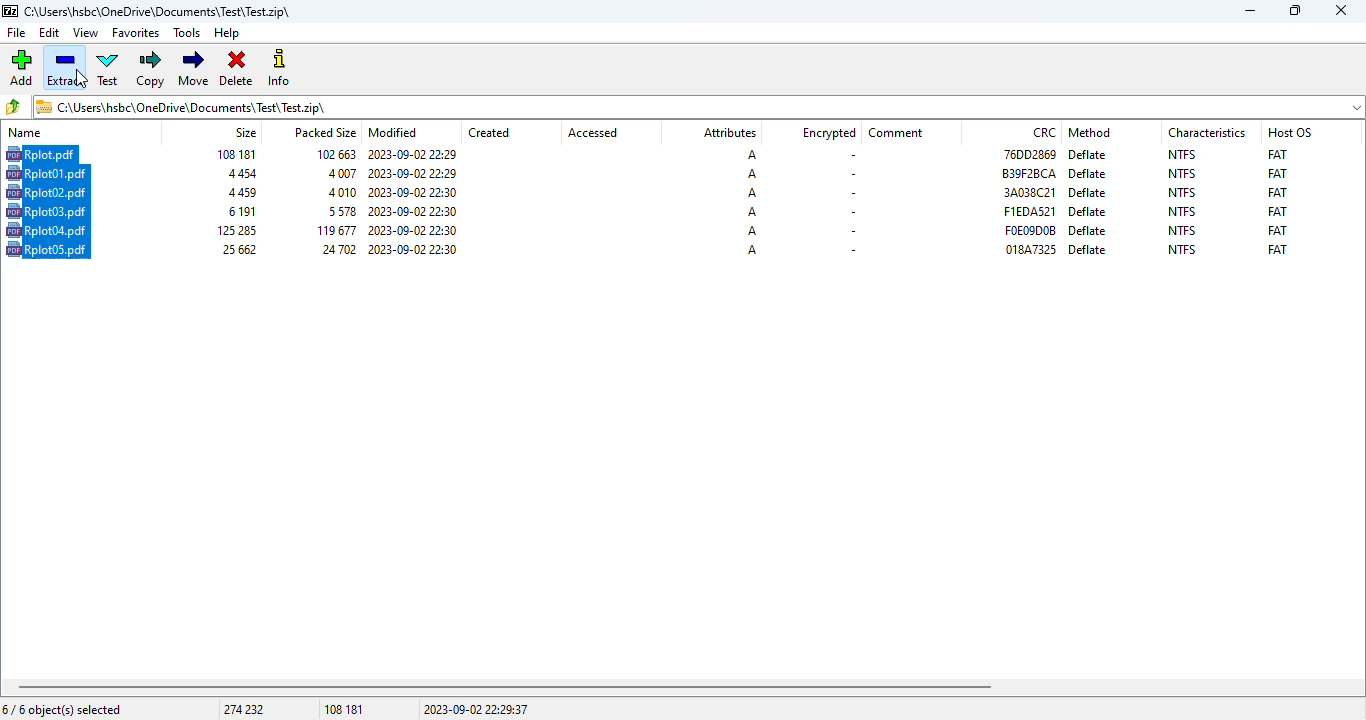 The width and height of the screenshot is (1366, 720). Describe the element at coordinates (750, 155) in the screenshot. I see `A` at that location.